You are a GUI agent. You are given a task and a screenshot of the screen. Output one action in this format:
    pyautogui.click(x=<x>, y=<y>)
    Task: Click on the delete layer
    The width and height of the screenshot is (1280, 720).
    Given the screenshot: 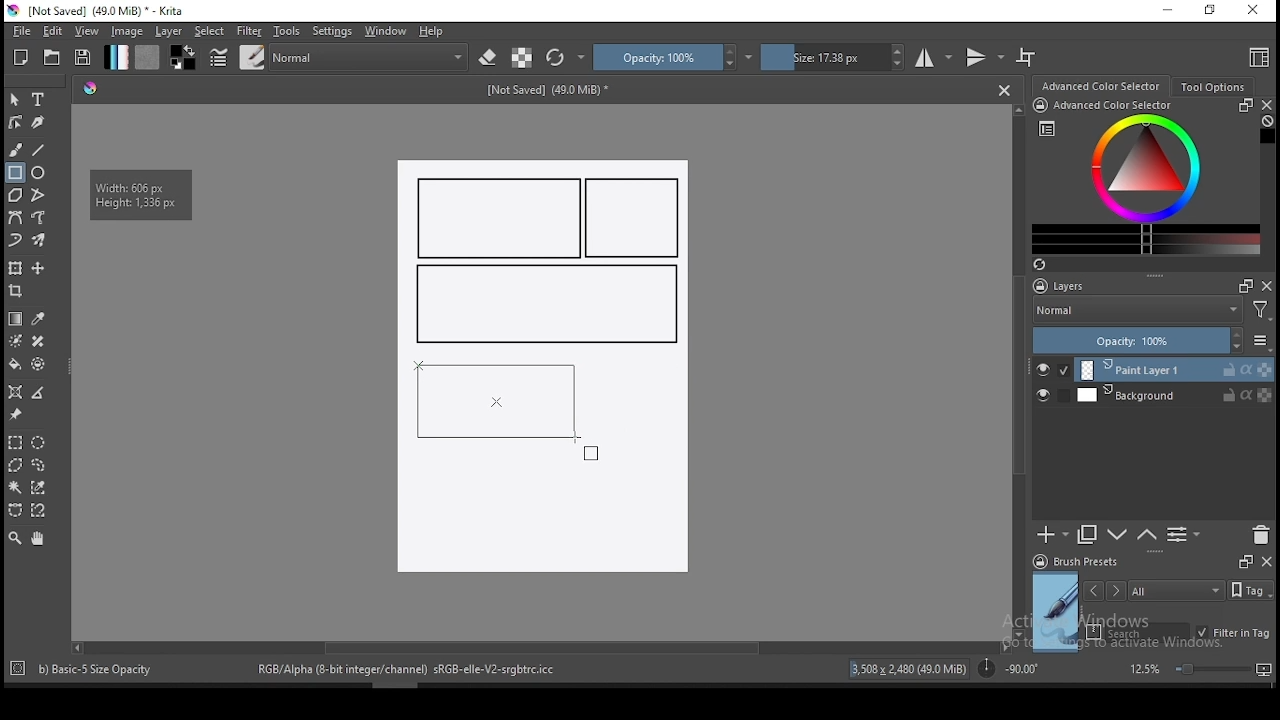 What is the action you would take?
    pyautogui.click(x=1260, y=536)
    